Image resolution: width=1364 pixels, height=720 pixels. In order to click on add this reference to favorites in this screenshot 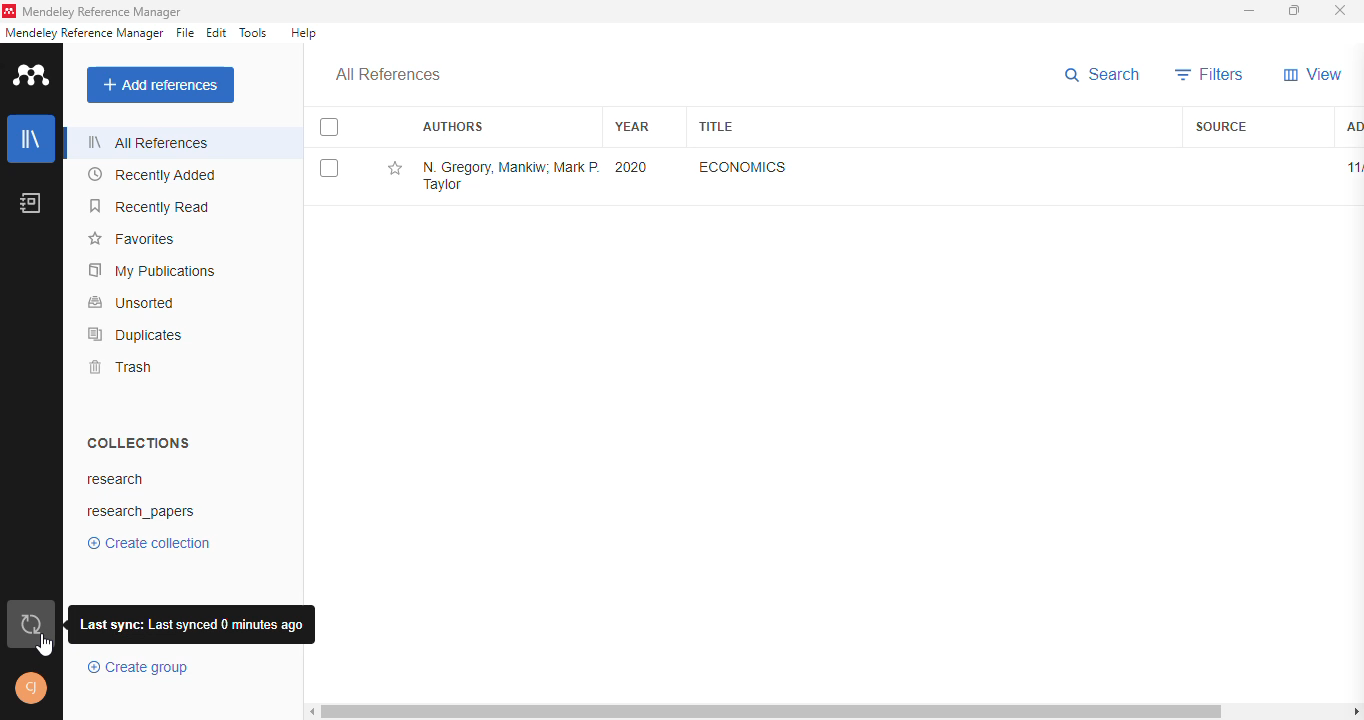, I will do `click(397, 169)`.